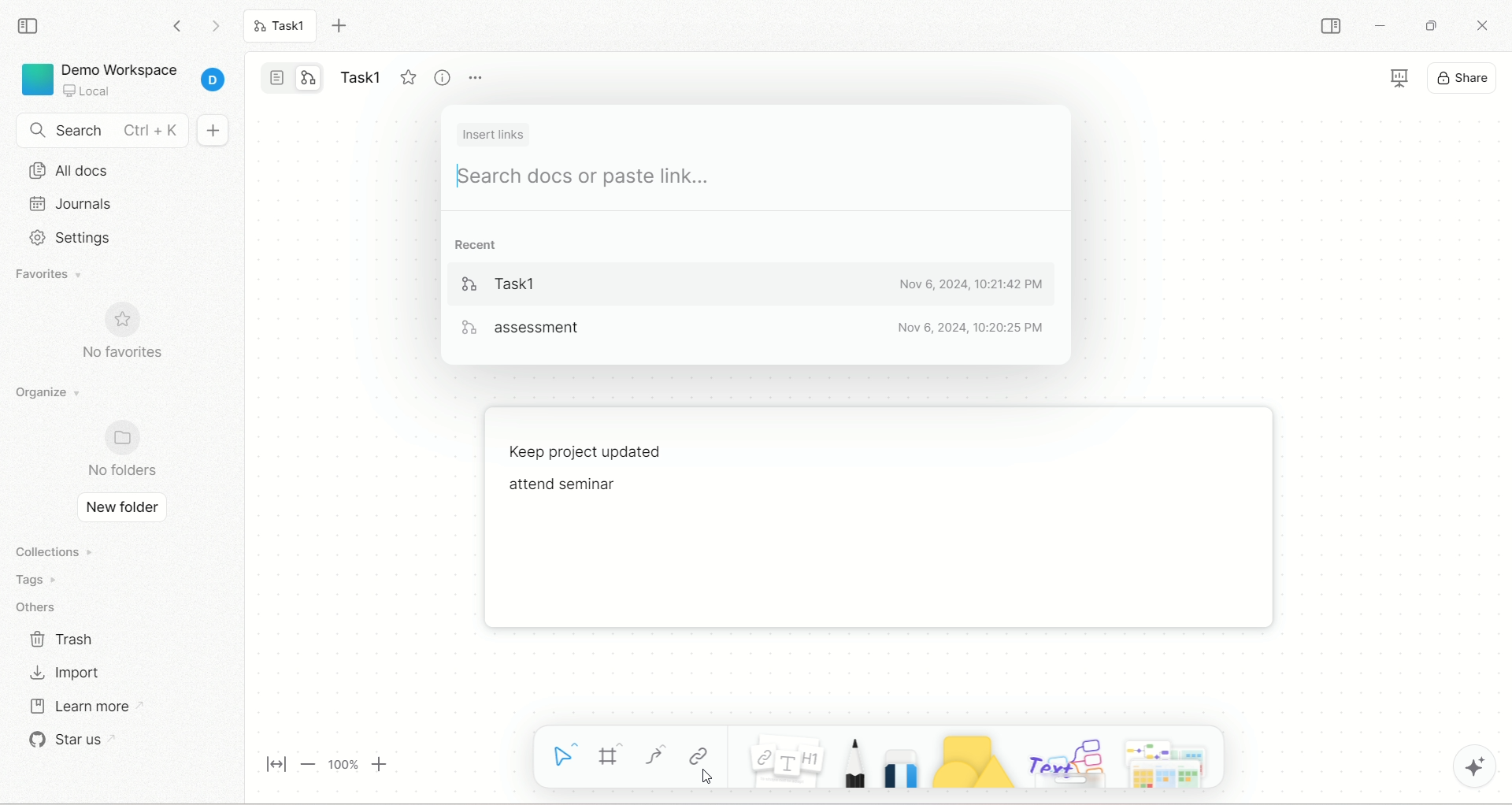  What do you see at coordinates (972, 762) in the screenshot?
I see `shapes` at bounding box center [972, 762].